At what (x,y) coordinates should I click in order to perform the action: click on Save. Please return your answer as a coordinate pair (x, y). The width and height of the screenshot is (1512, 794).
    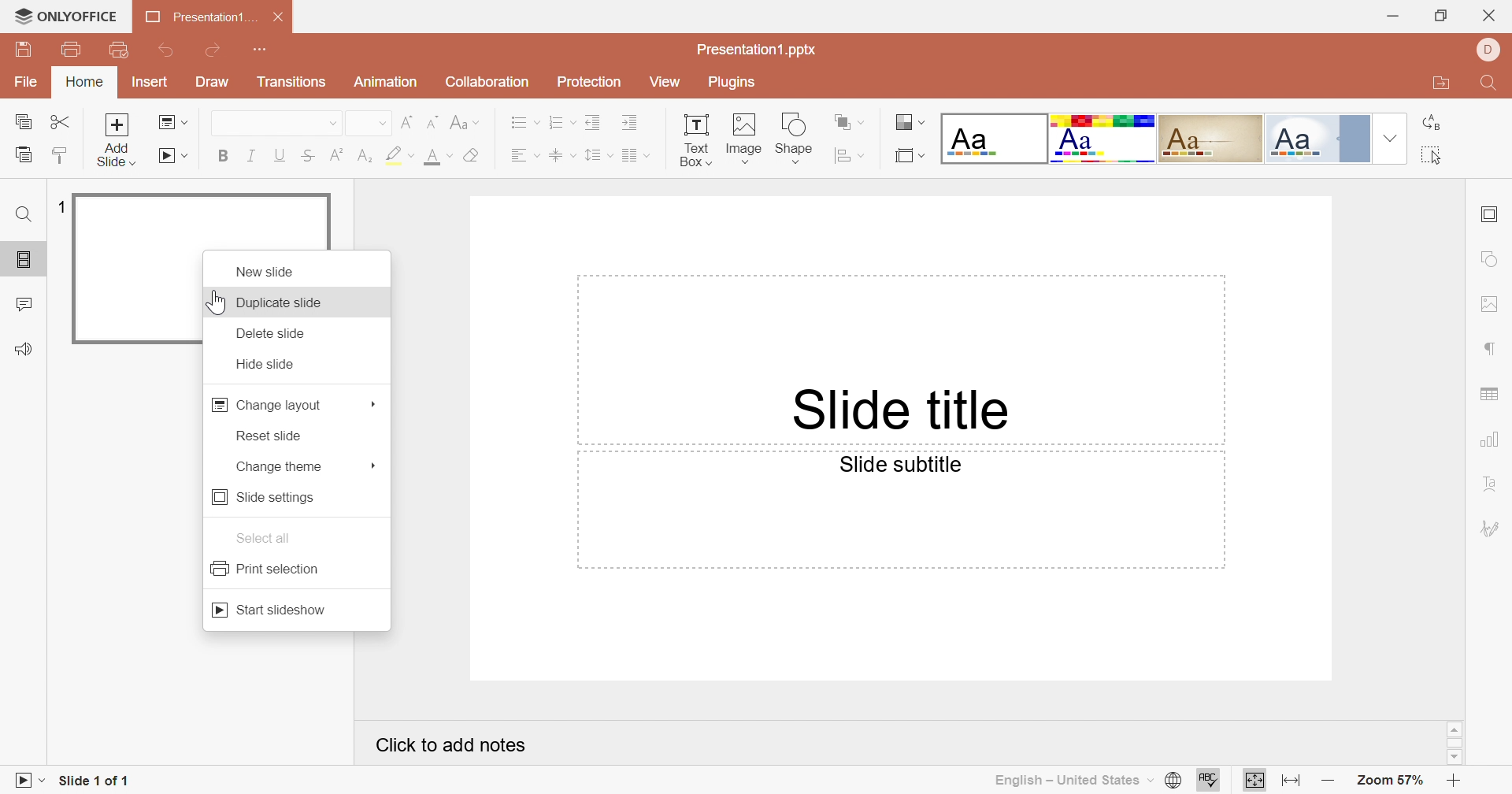
    Looking at the image, I should click on (29, 48).